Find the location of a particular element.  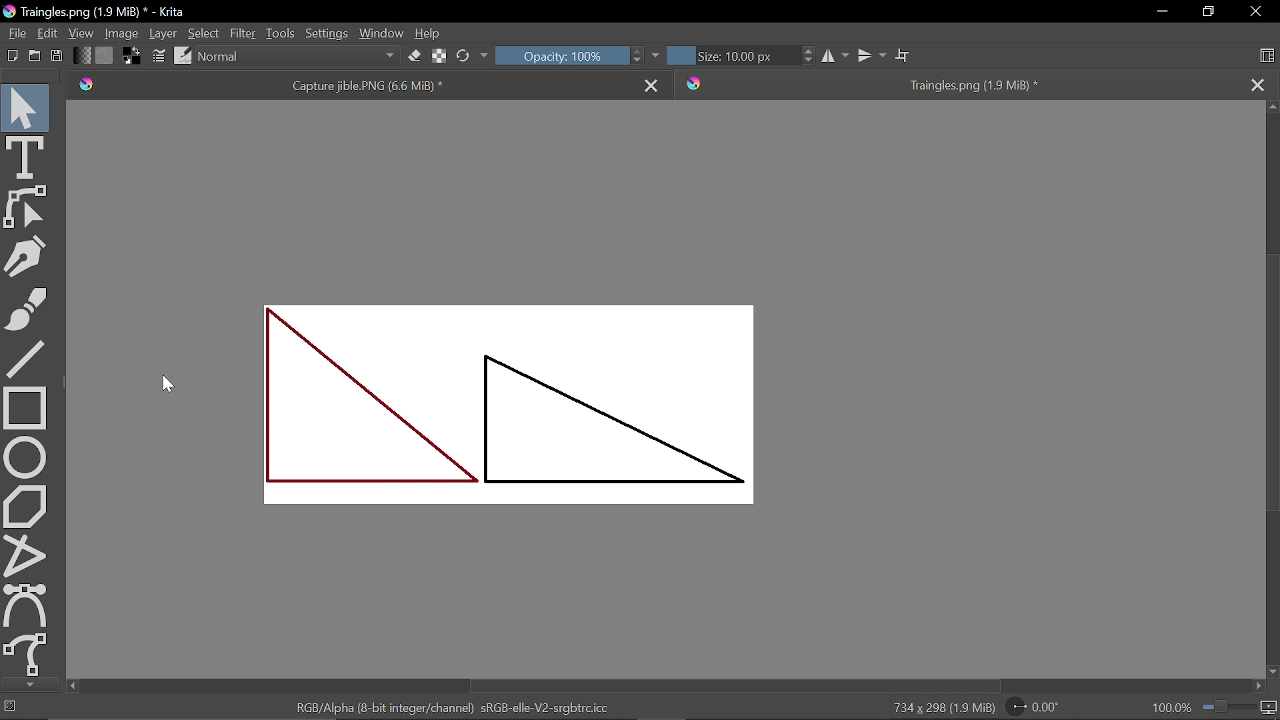

Fill gradient is located at coordinates (81, 56).